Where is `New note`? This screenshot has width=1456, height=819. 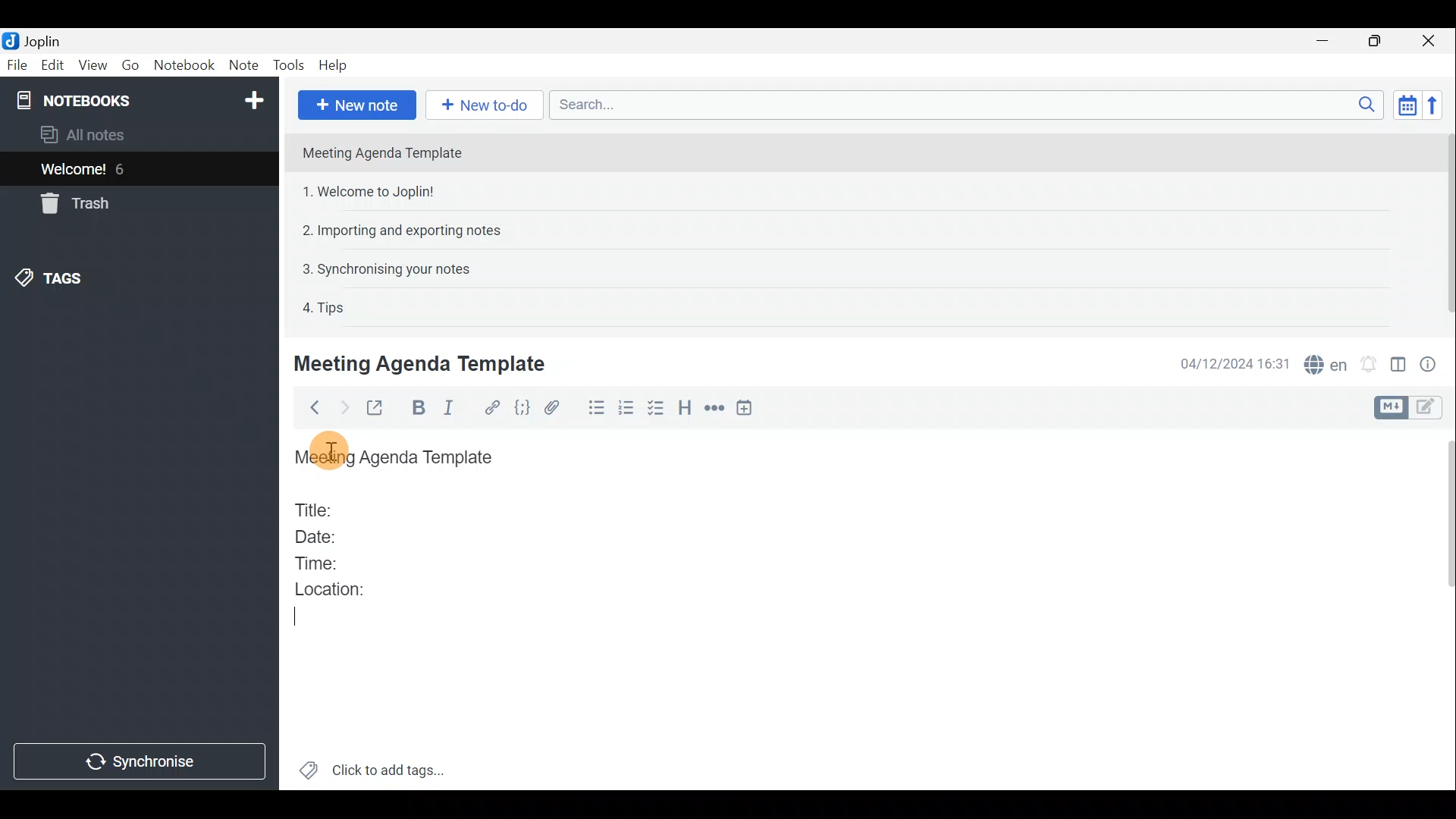 New note is located at coordinates (357, 105).